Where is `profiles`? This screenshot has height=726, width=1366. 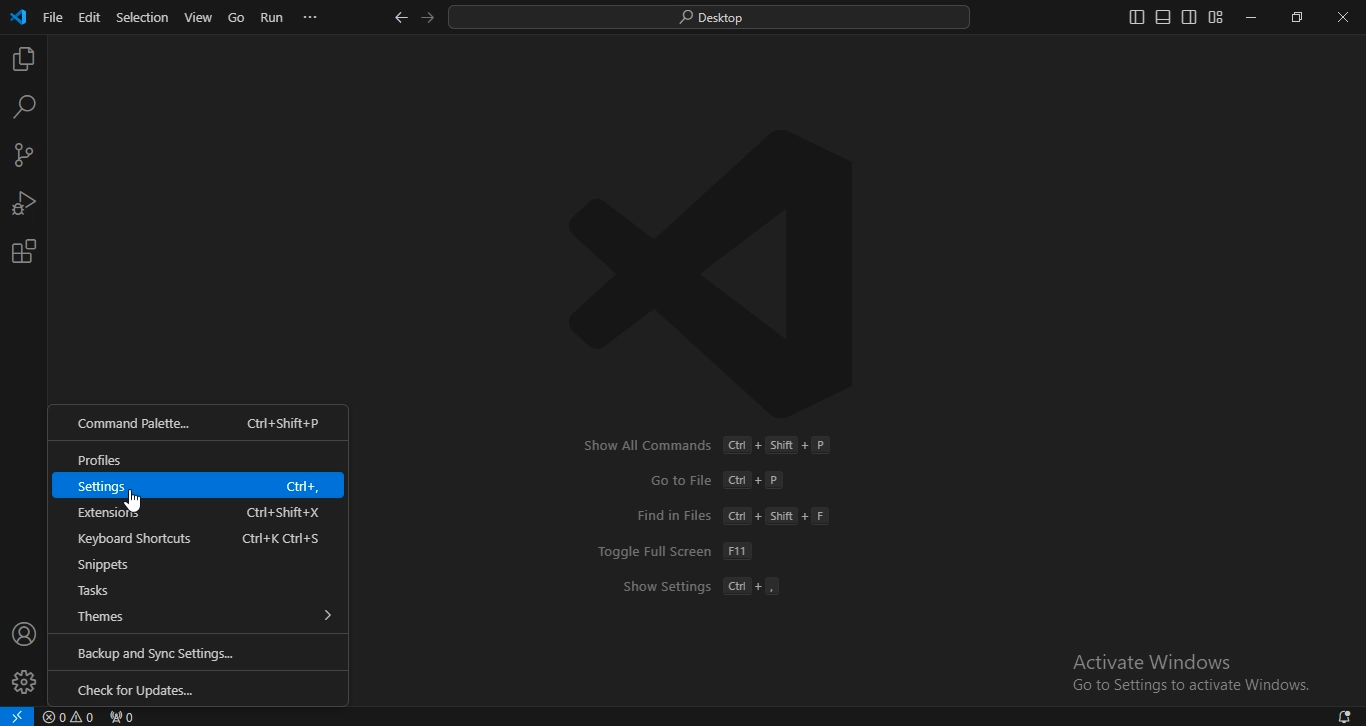 profiles is located at coordinates (108, 459).